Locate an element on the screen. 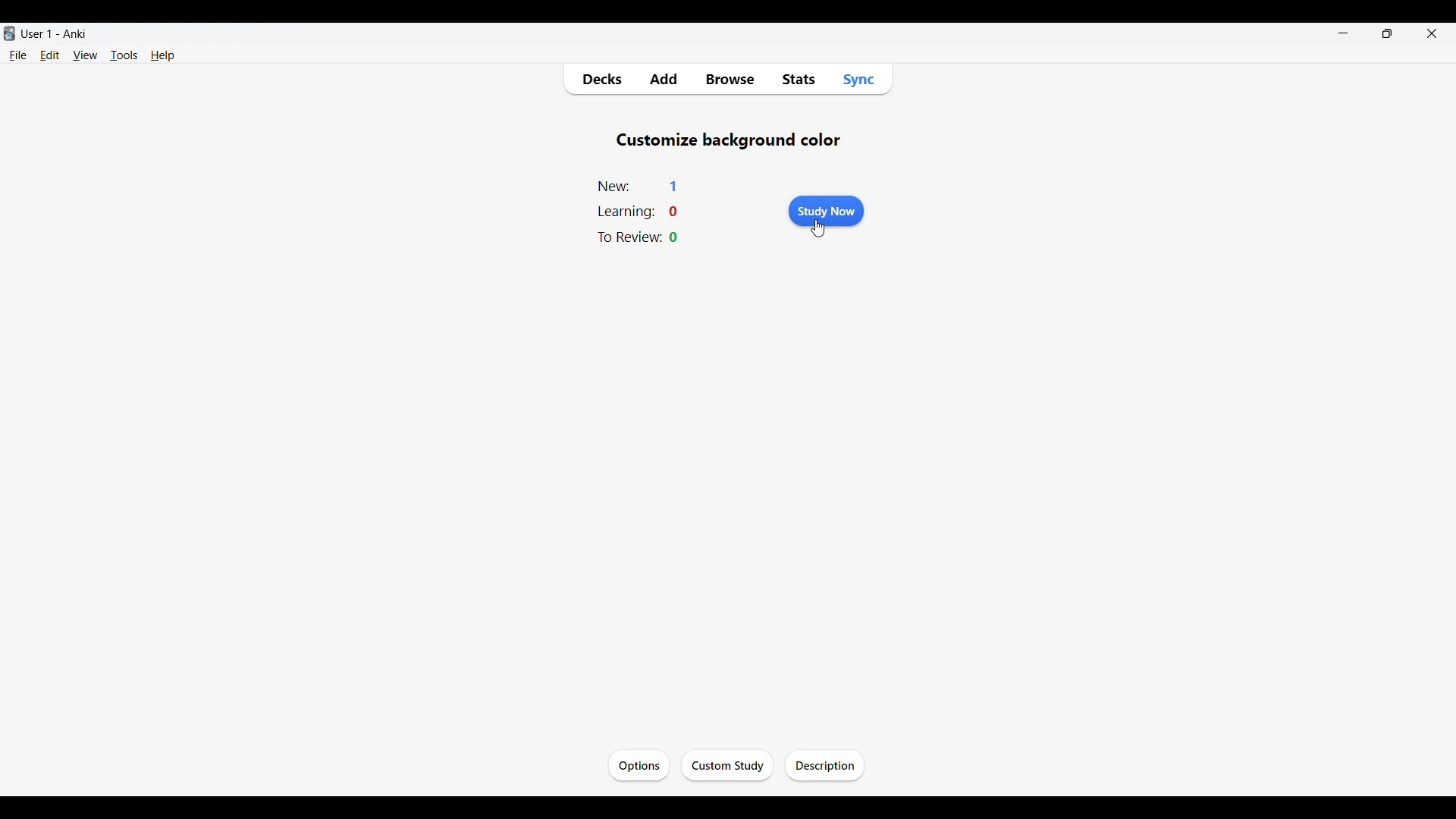 The height and width of the screenshot is (819, 1456). Indicates no. of cards to review is located at coordinates (629, 236).